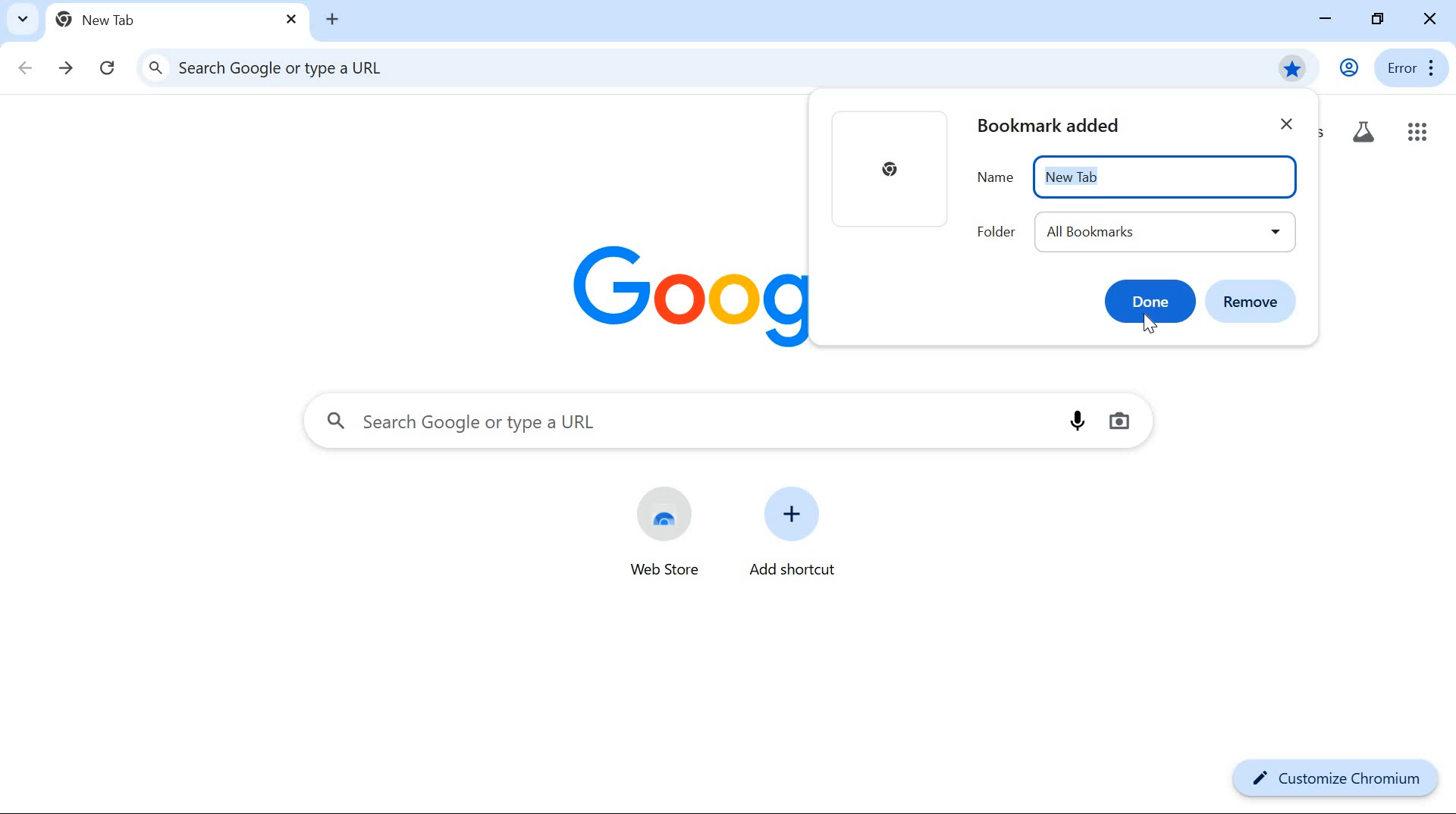  What do you see at coordinates (1078, 420) in the screenshot?
I see `voice search` at bounding box center [1078, 420].